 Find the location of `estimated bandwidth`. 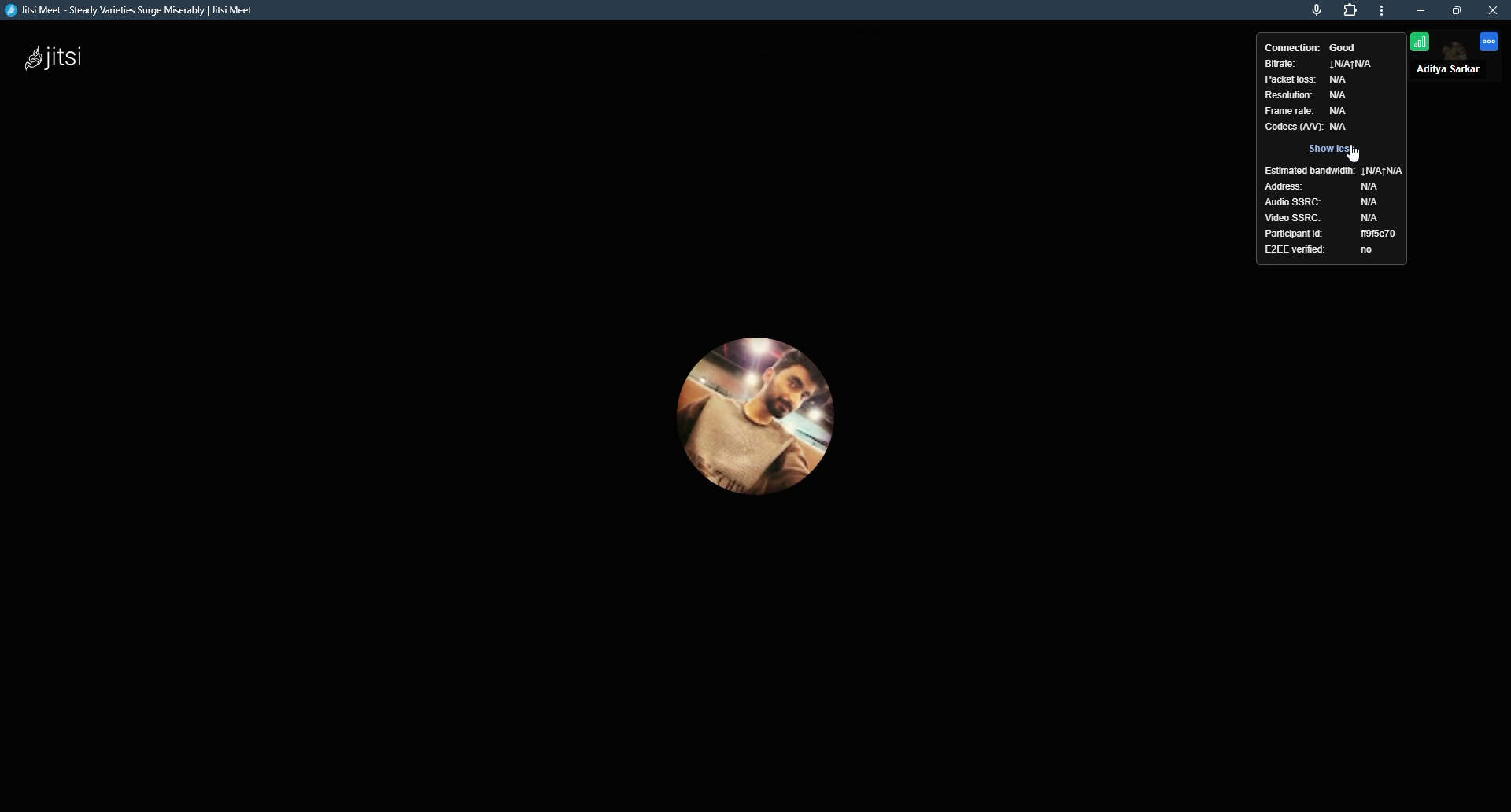

estimated bandwidth is located at coordinates (1310, 170).